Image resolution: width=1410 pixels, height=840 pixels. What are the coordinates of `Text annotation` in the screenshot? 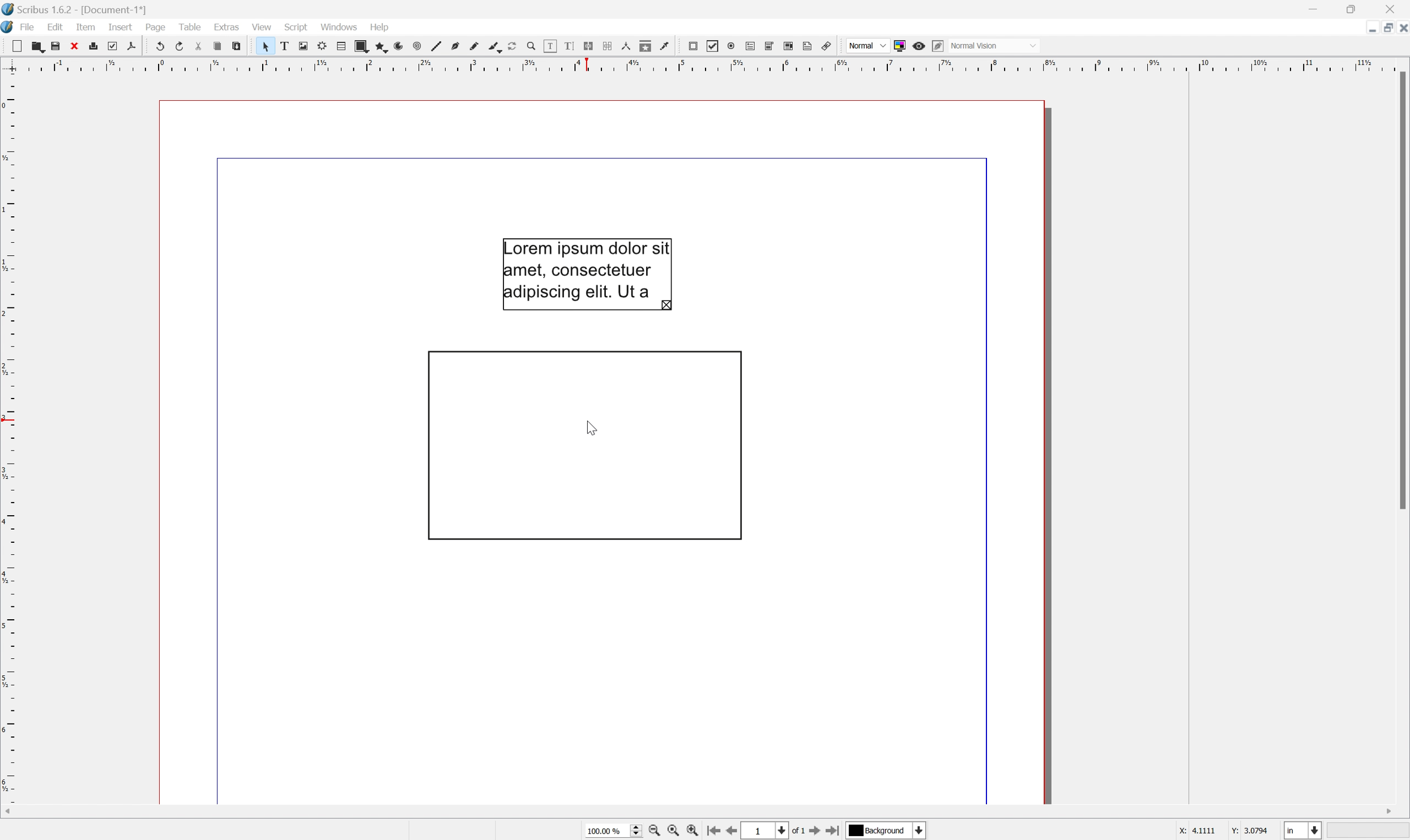 It's located at (810, 46).